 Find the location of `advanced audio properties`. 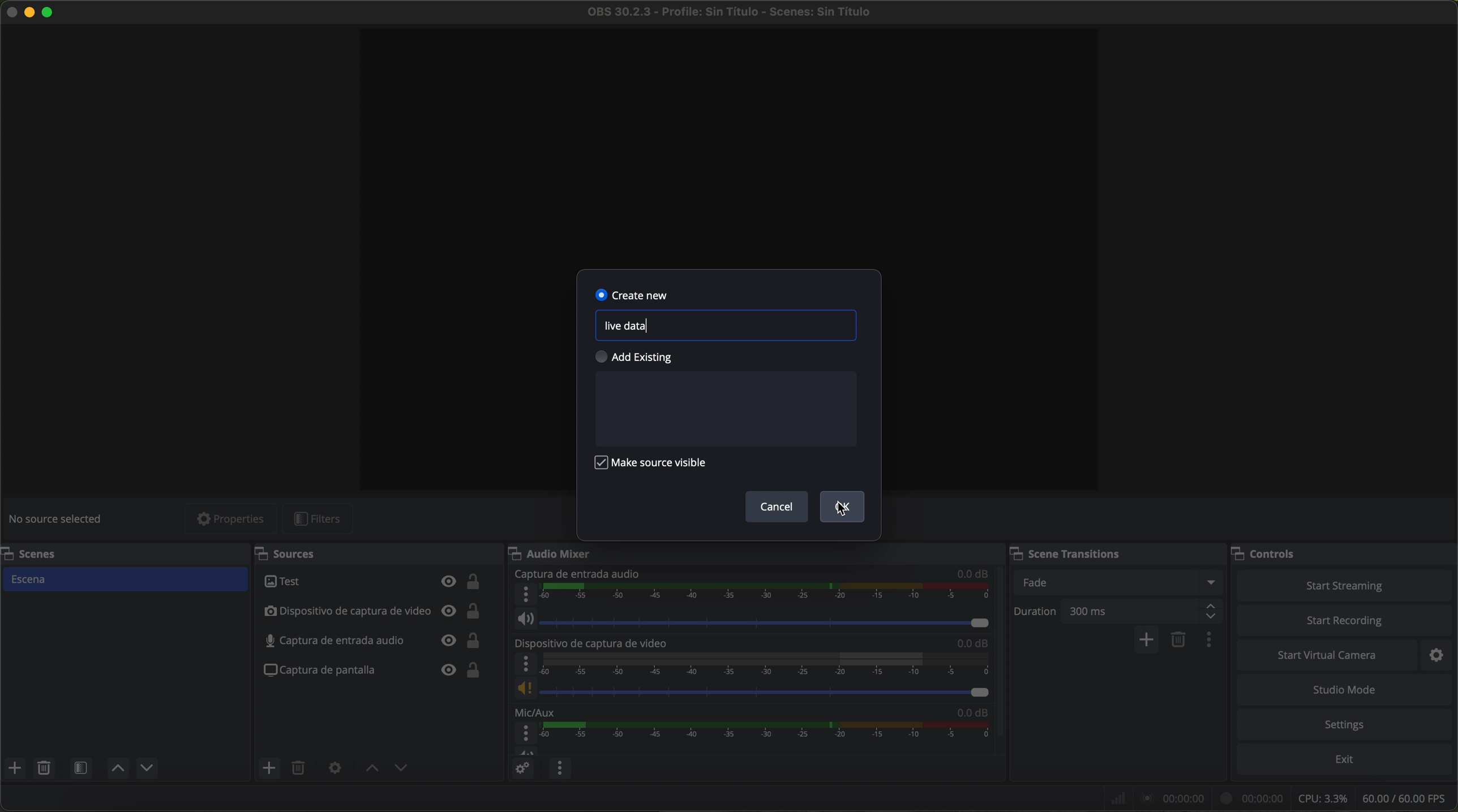

advanced audio properties is located at coordinates (521, 767).